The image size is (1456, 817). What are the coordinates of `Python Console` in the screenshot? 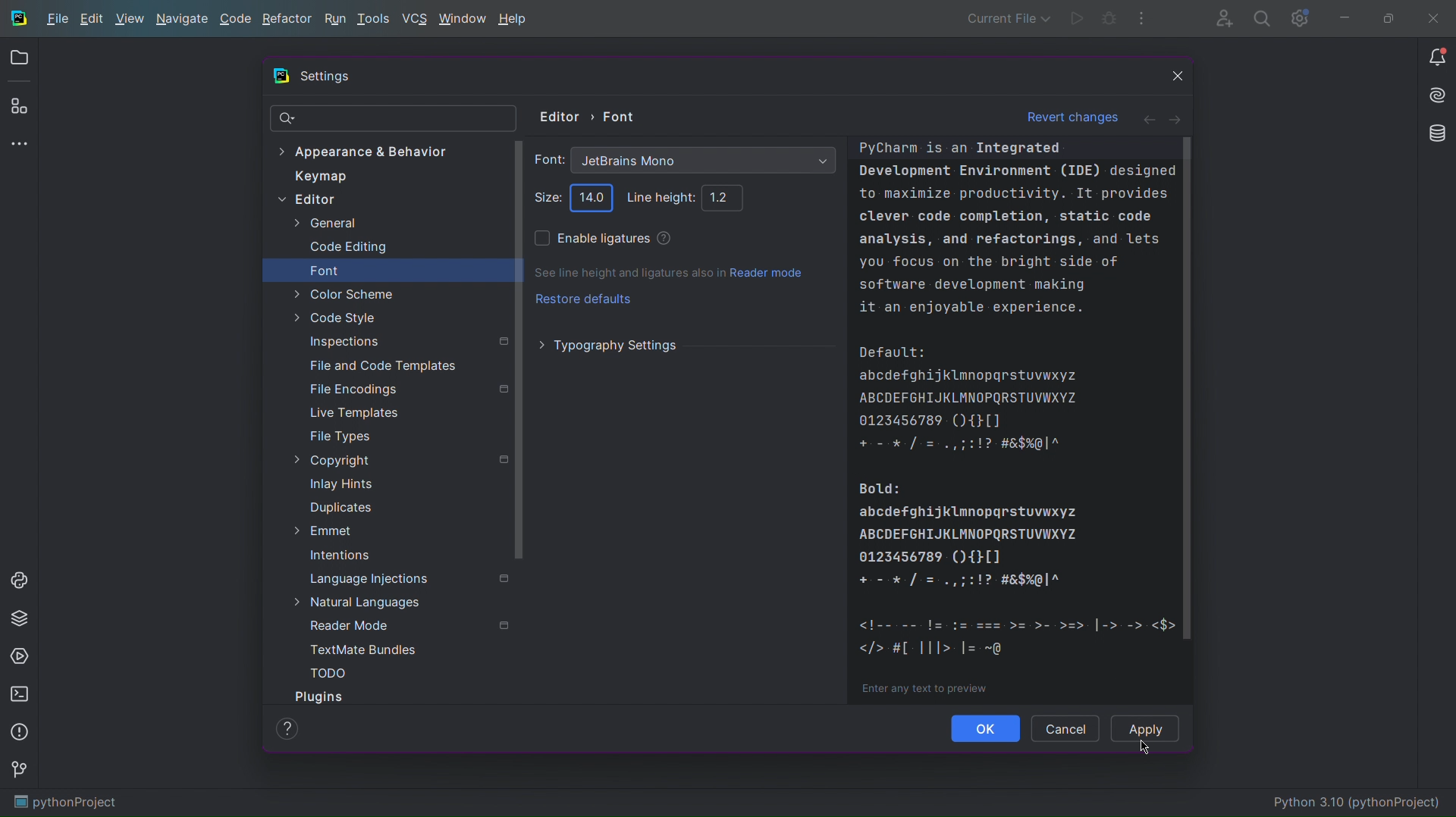 It's located at (22, 578).